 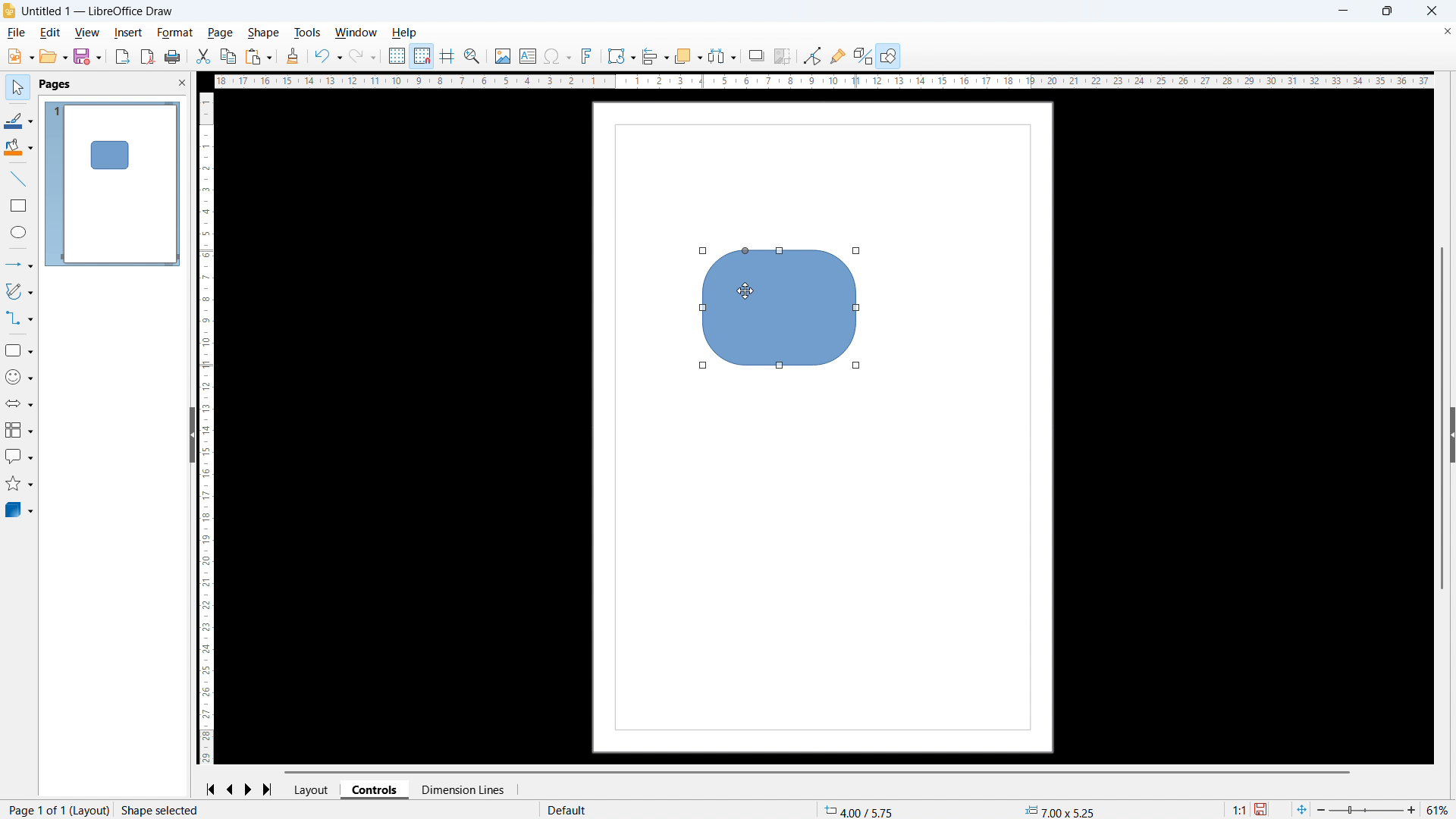 What do you see at coordinates (422, 57) in the screenshot?
I see `Snap to grid ` at bounding box center [422, 57].